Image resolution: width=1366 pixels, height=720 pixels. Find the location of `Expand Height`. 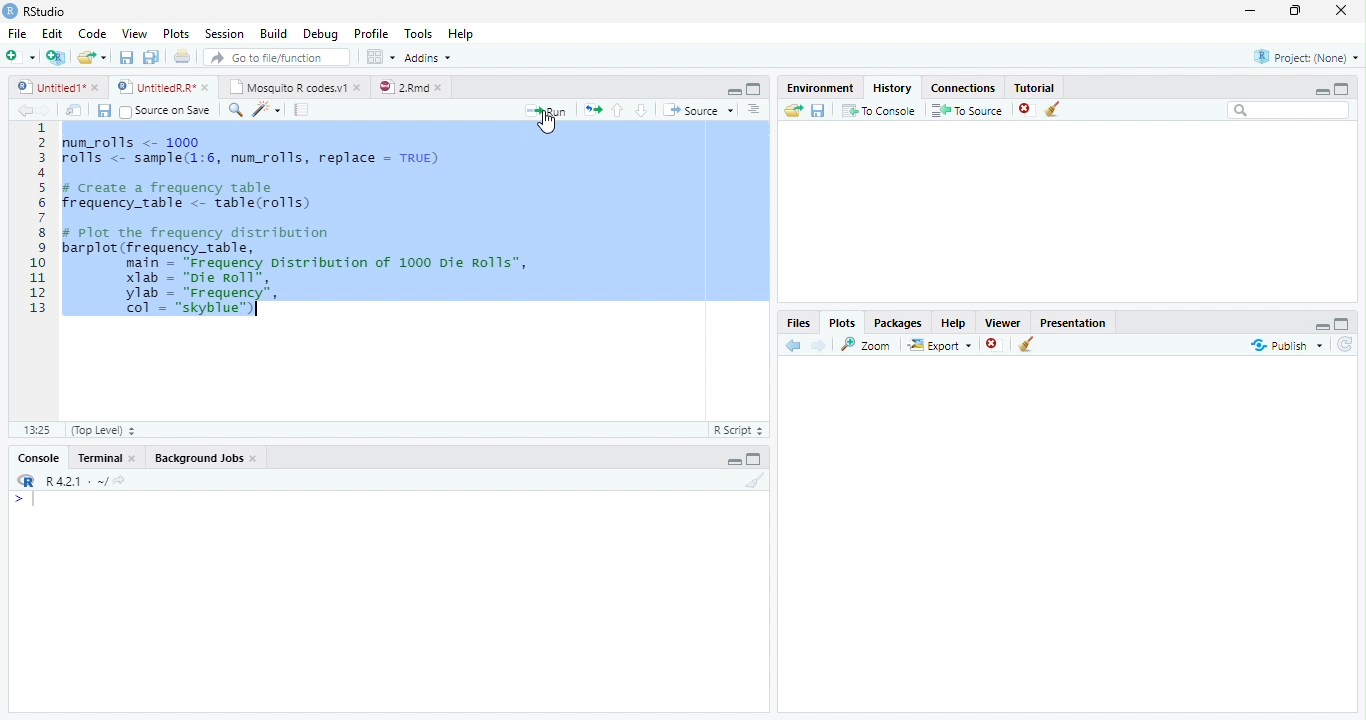

Expand Height is located at coordinates (755, 459).